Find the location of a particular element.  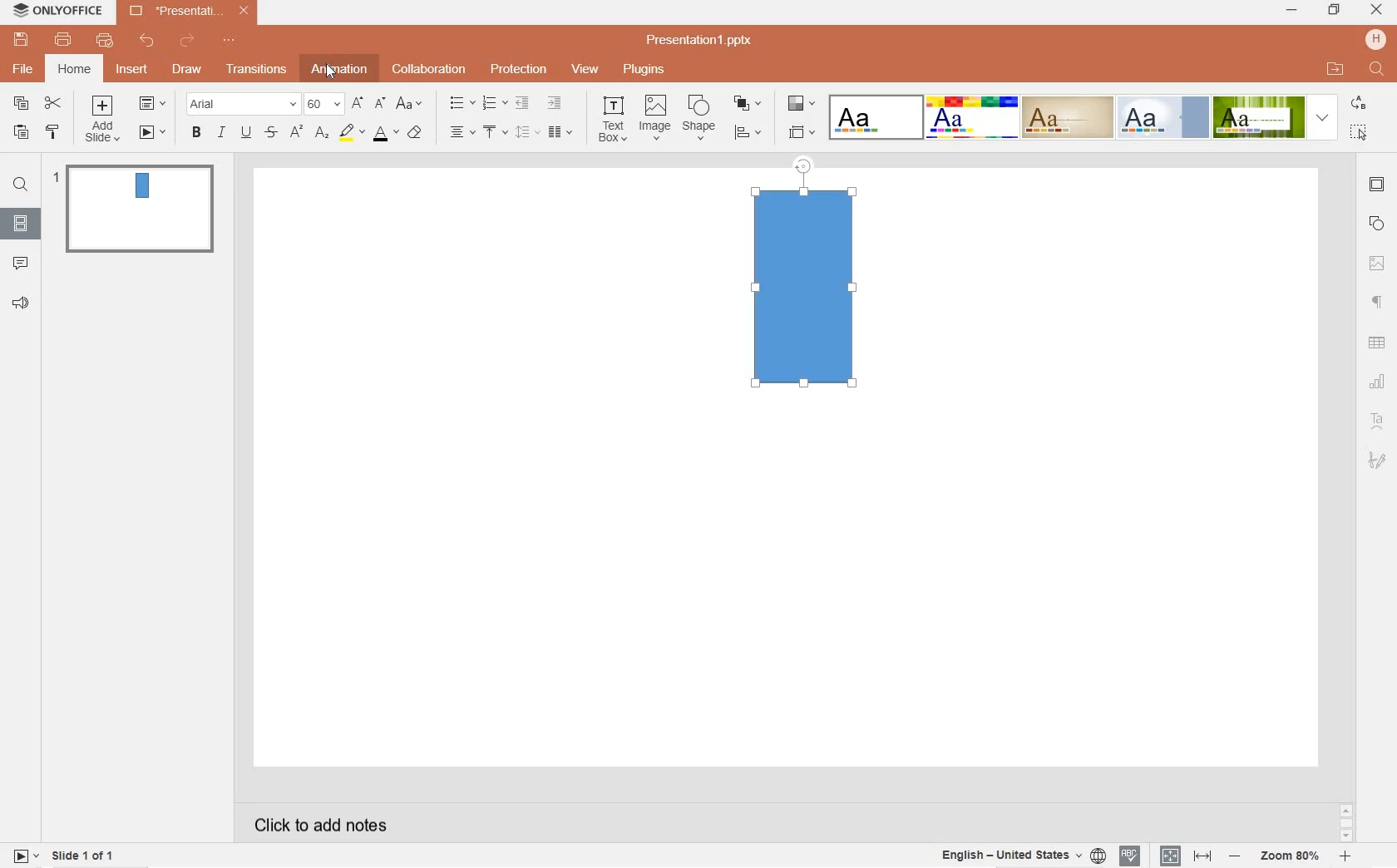

click to add notes is located at coordinates (314, 823).